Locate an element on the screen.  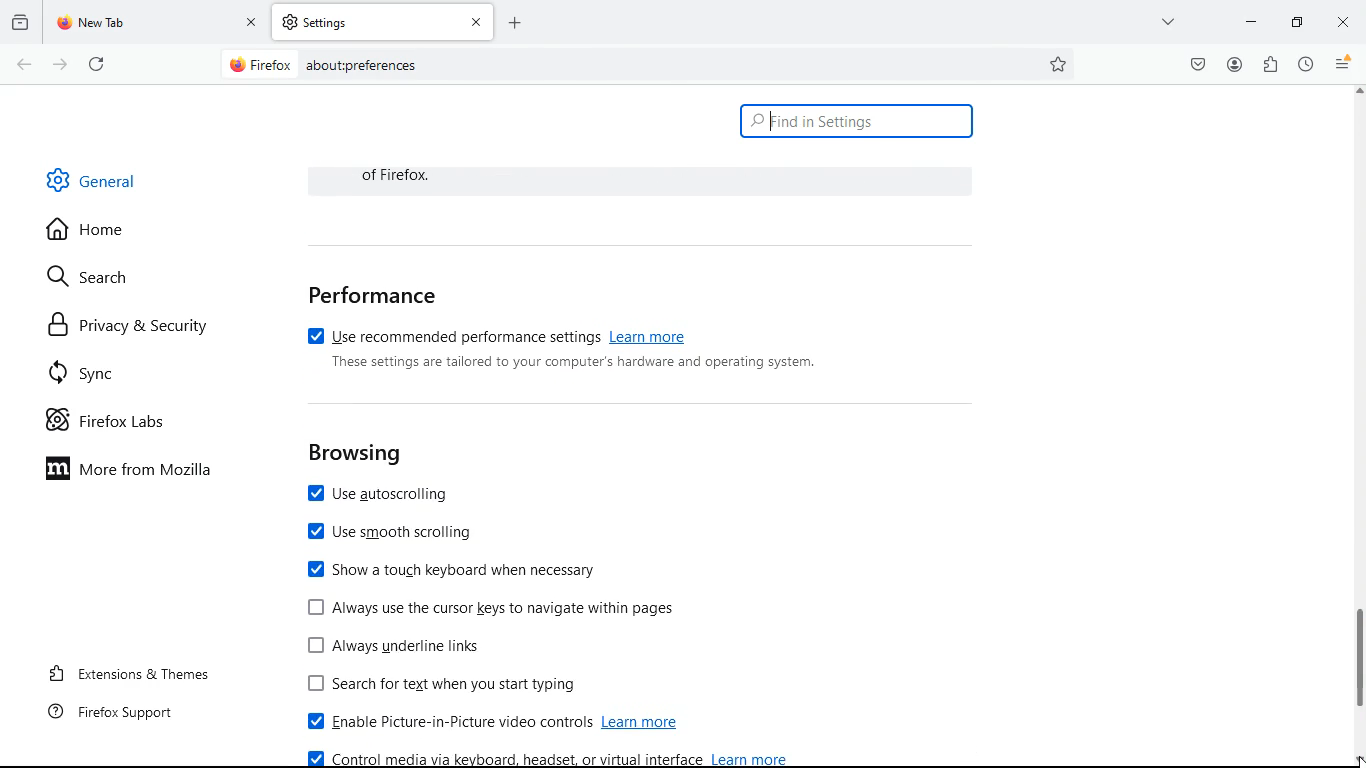
scroll bar is located at coordinates (1357, 415).